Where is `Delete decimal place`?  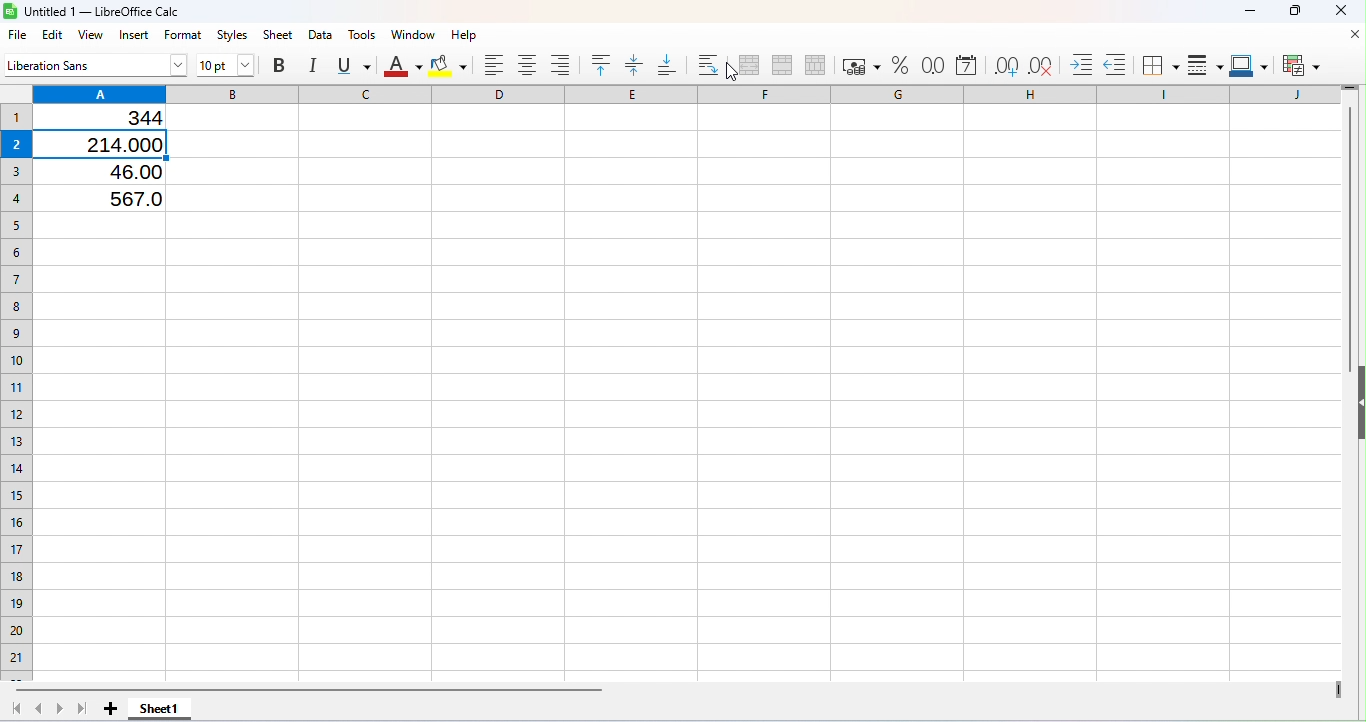 Delete decimal place is located at coordinates (1041, 62).